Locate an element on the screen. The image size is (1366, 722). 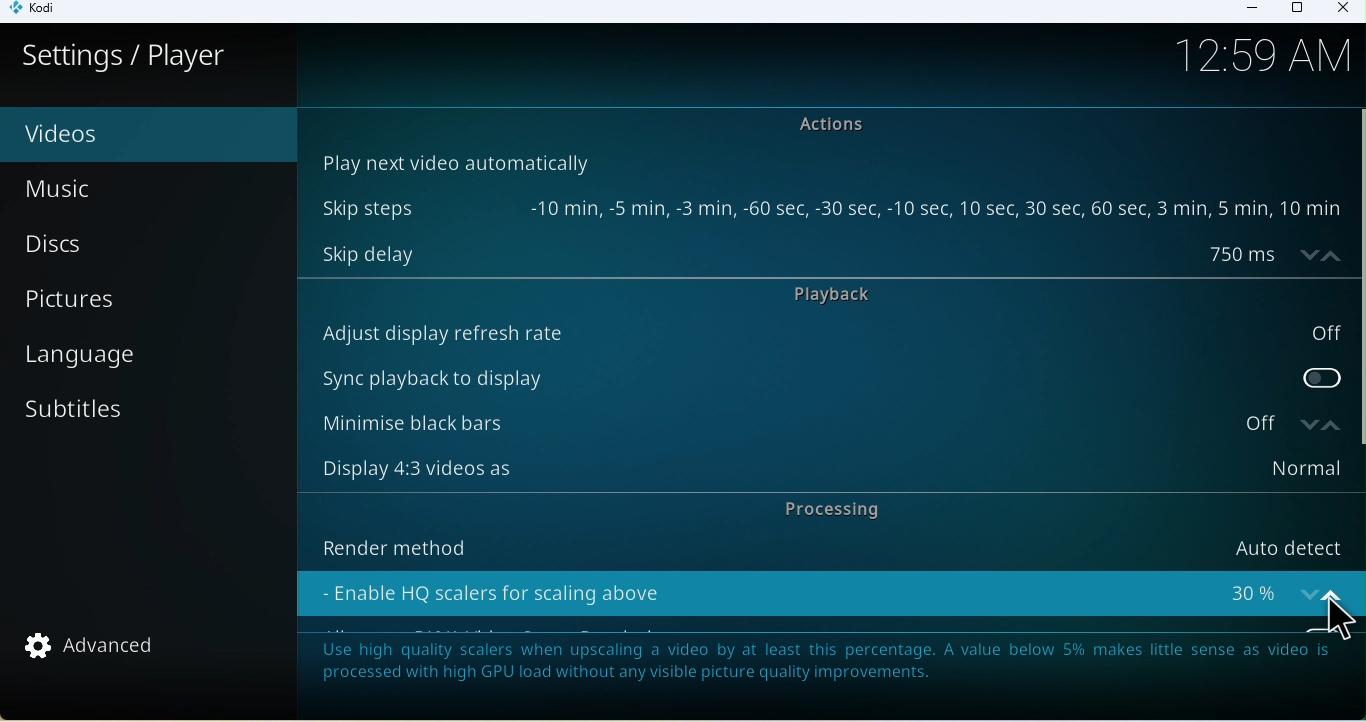
Playback is located at coordinates (849, 296).